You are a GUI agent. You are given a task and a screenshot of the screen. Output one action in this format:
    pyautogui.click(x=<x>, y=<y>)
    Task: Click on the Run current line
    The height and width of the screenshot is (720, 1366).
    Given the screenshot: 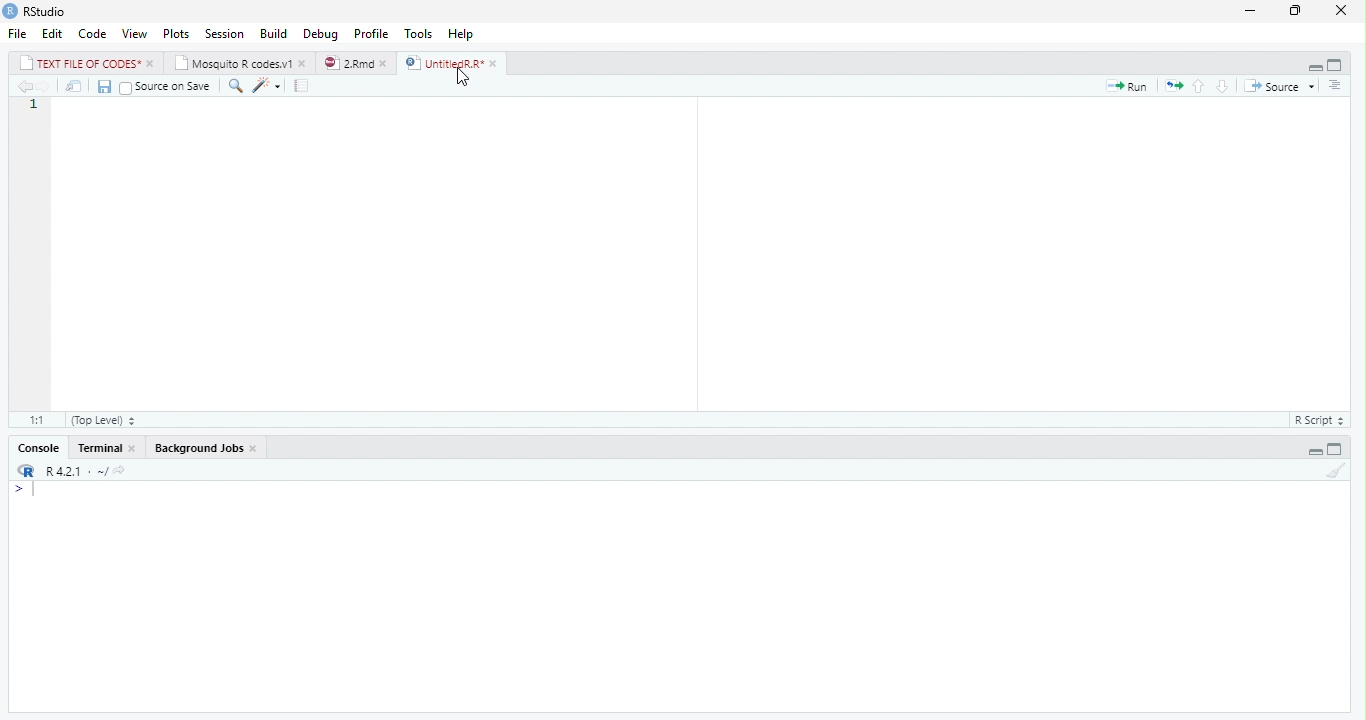 What is the action you would take?
    pyautogui.click(x=1128, y=86)
    